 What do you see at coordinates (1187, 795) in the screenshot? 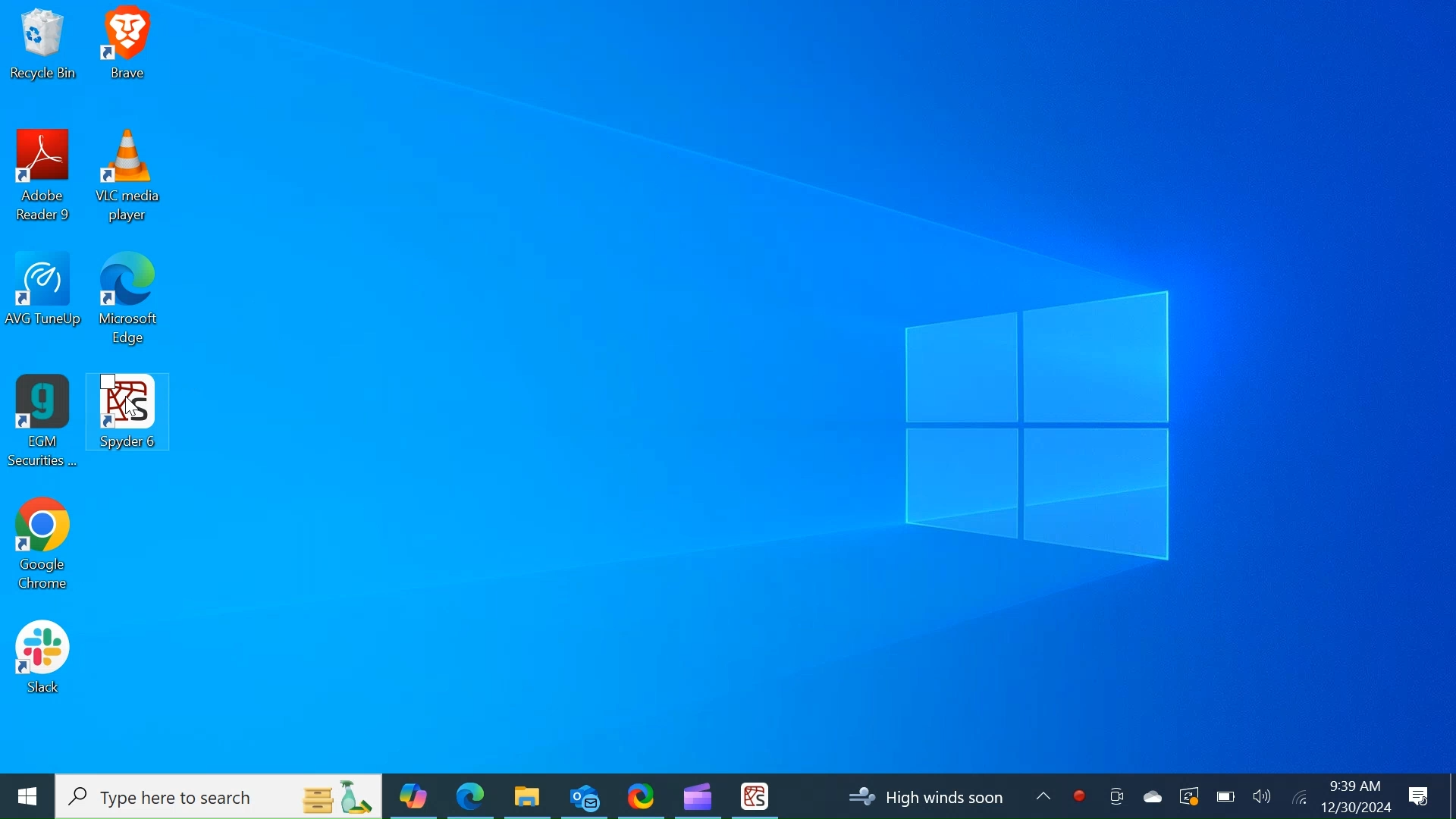
I see `Restart Update` at bounding box center [1187, 795].